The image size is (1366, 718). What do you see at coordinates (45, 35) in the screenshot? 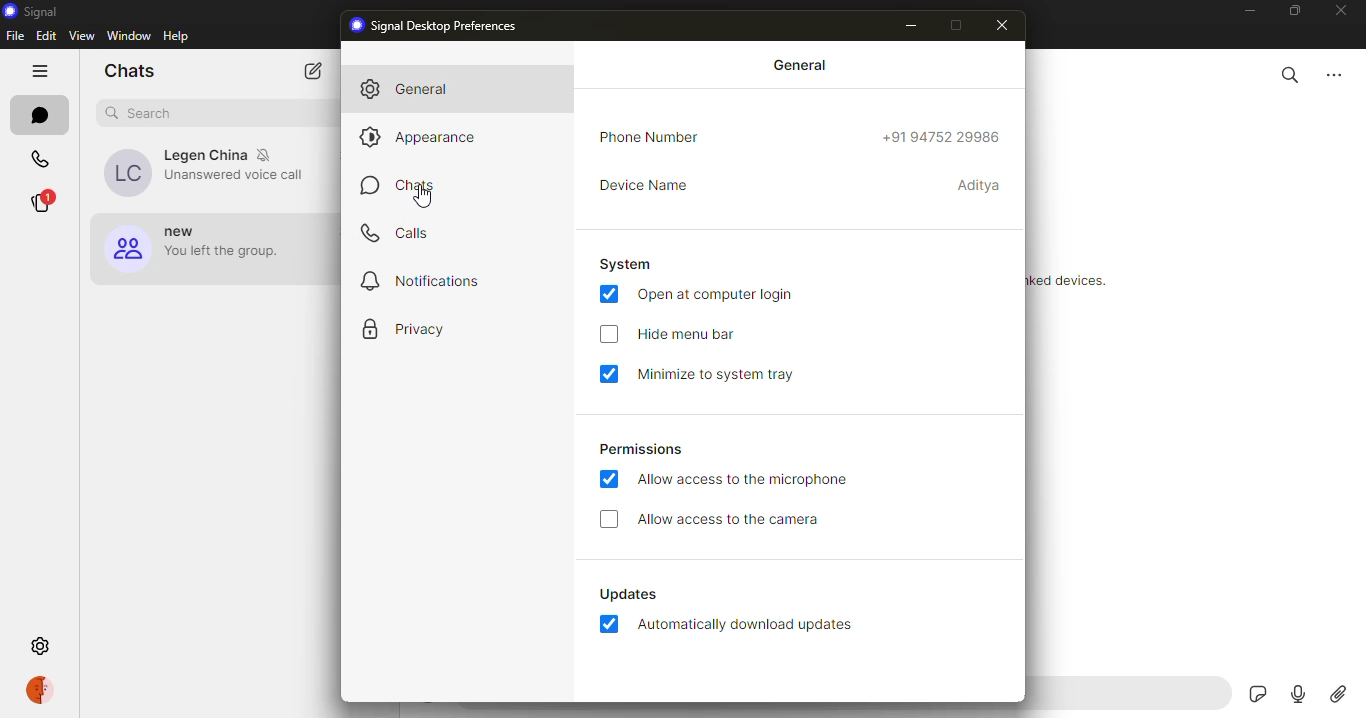
I see `edit` at bounding box center [45, 35].